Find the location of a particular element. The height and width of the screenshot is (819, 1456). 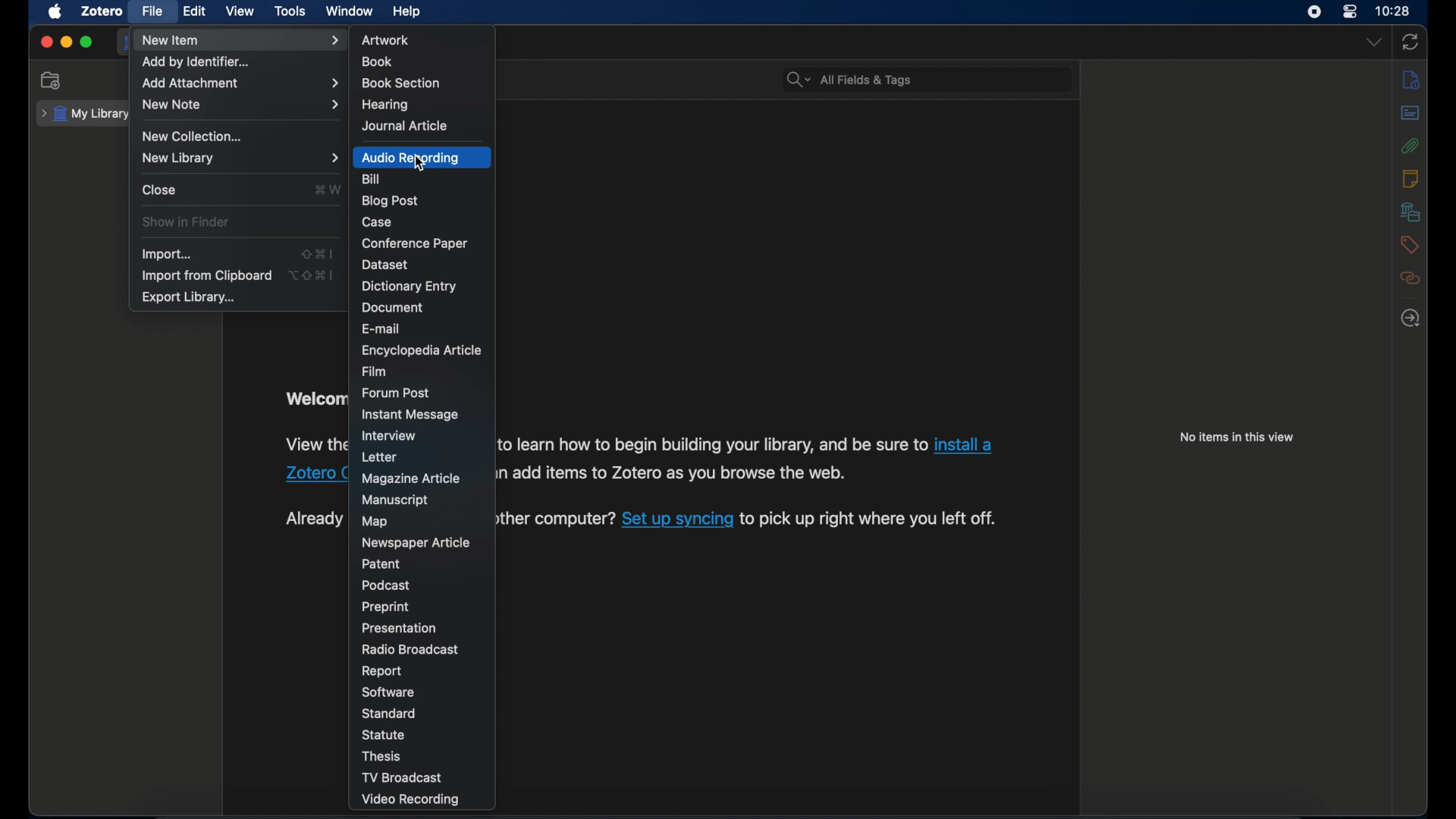

link is located at coordinates (551, 521).